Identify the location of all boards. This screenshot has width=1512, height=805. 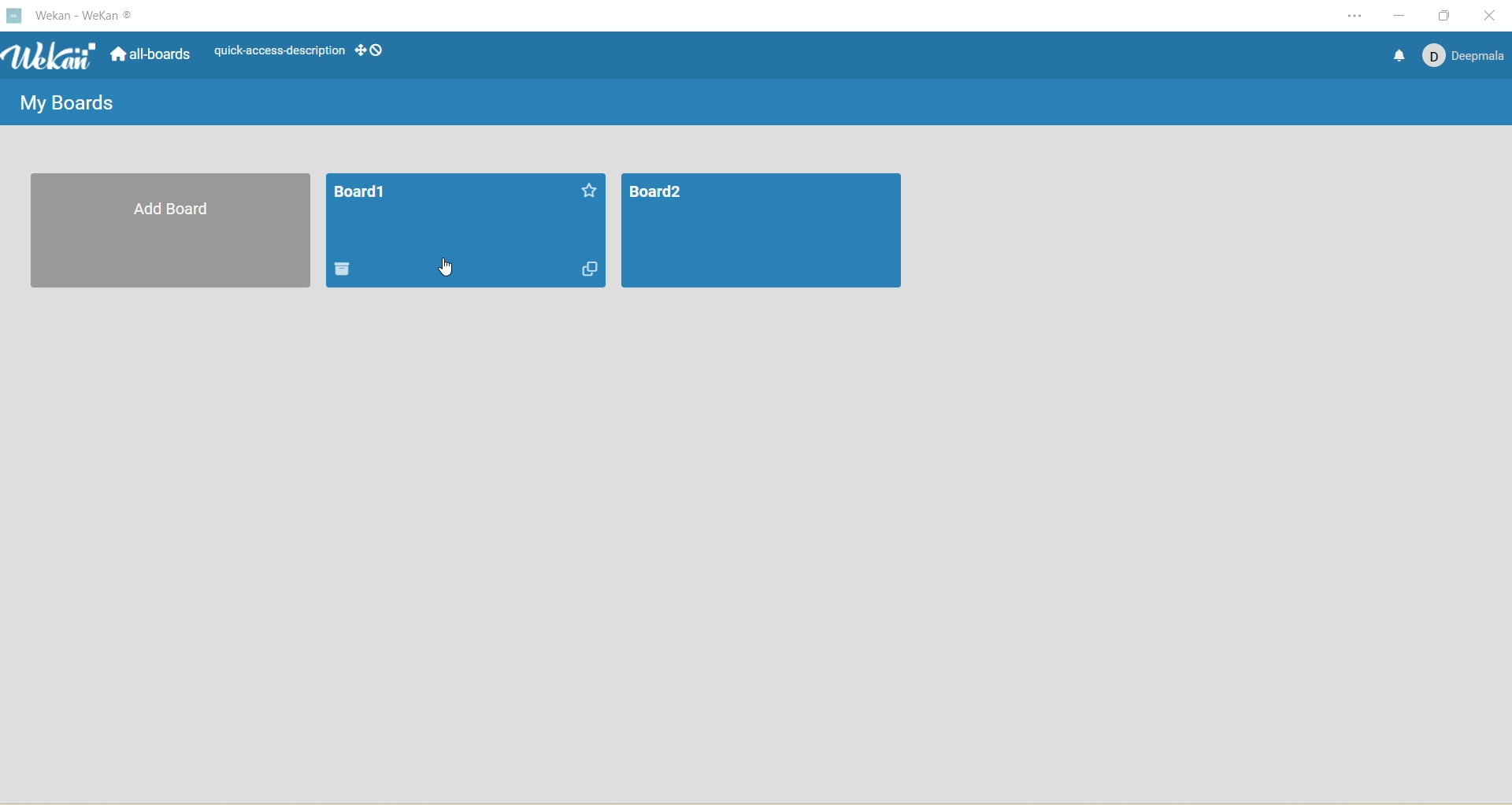
(147, 54).